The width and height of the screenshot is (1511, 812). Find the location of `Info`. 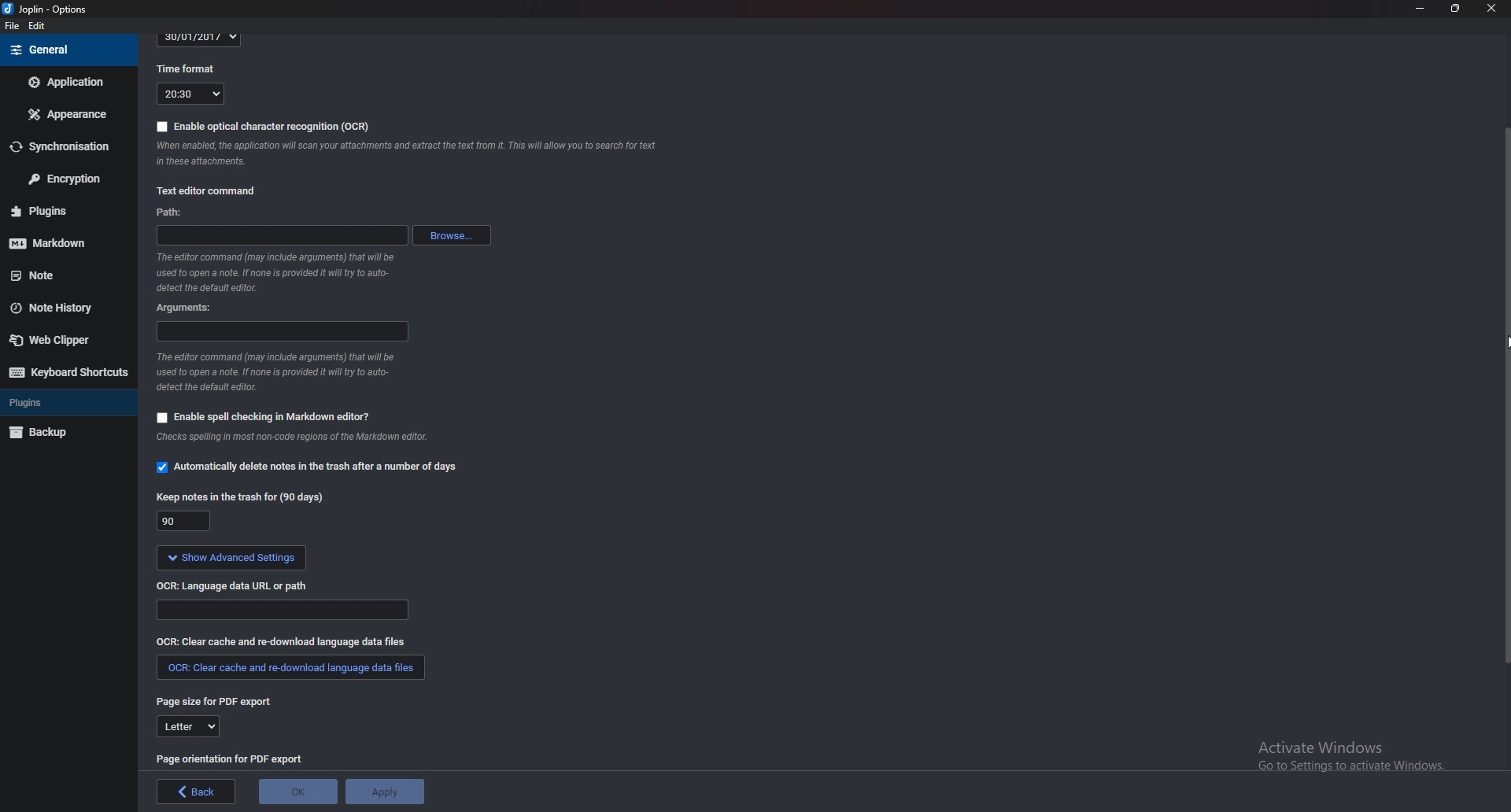

Info is located at coordinates (275, 372).